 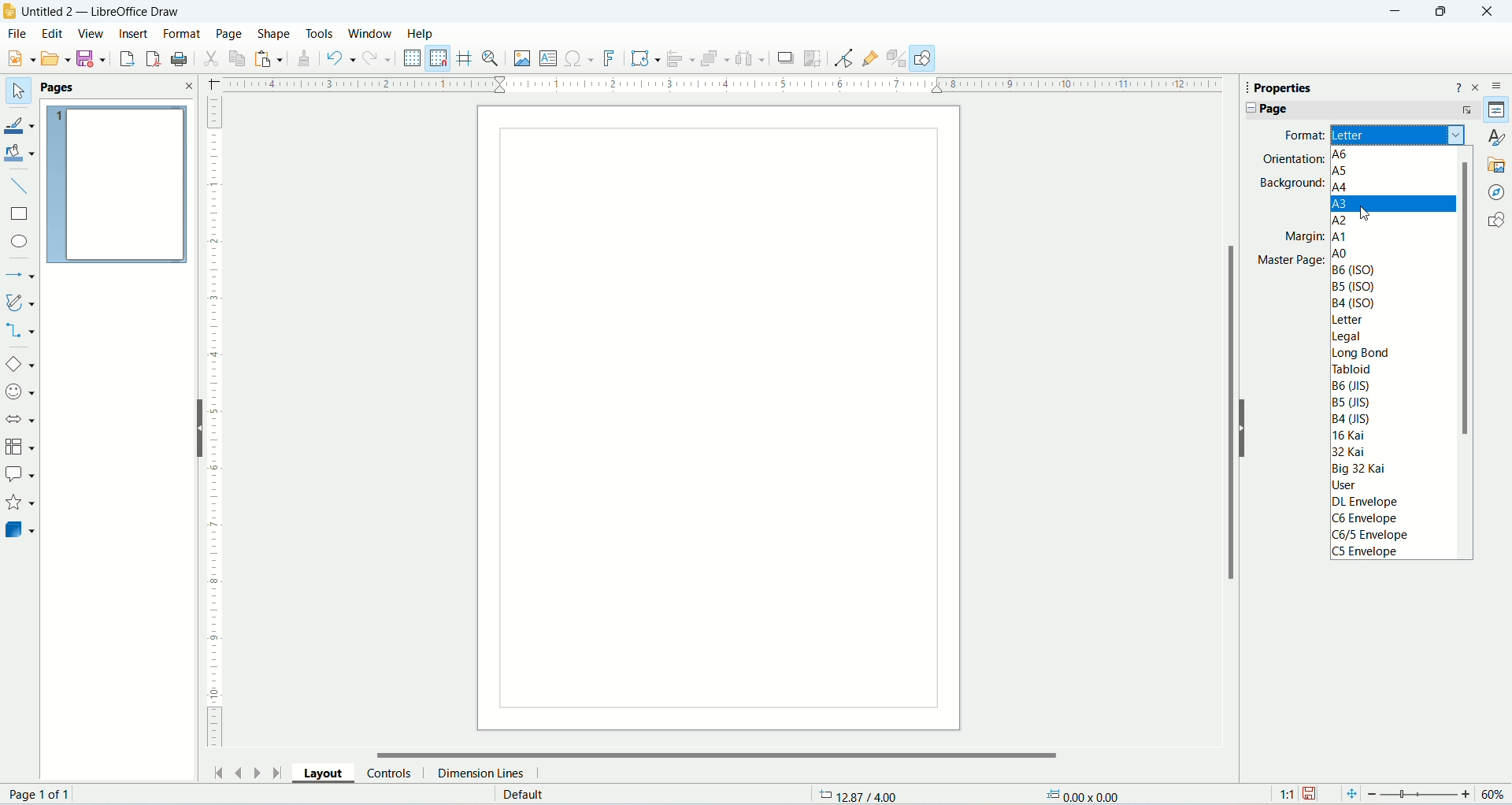 What do you see at coordinates (1313, 794) in the screenshot?
I see `save` at bounding box center [1313, 794].